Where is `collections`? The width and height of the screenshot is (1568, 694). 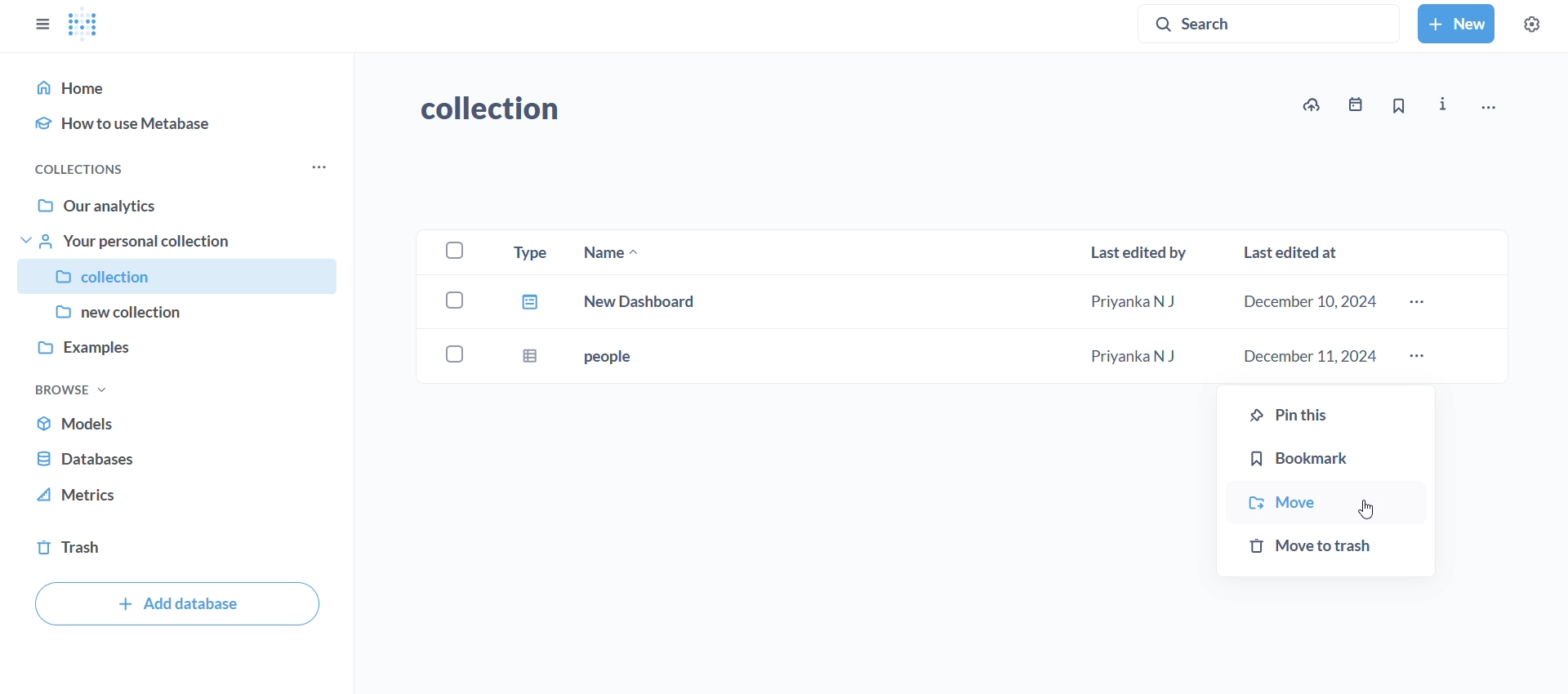
collections is located at coordinates (84, 169).